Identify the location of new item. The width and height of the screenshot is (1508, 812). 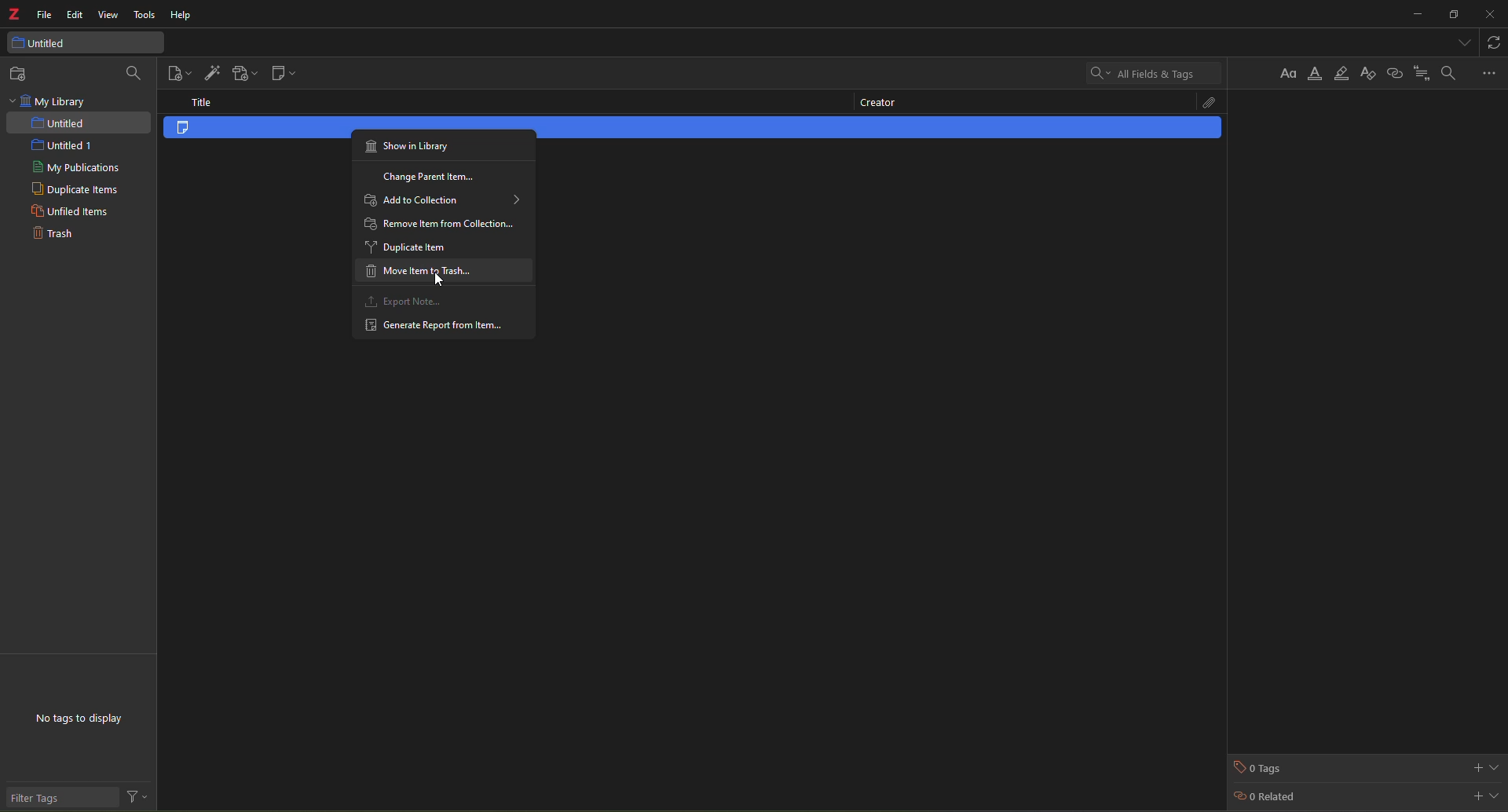
(178, 74).